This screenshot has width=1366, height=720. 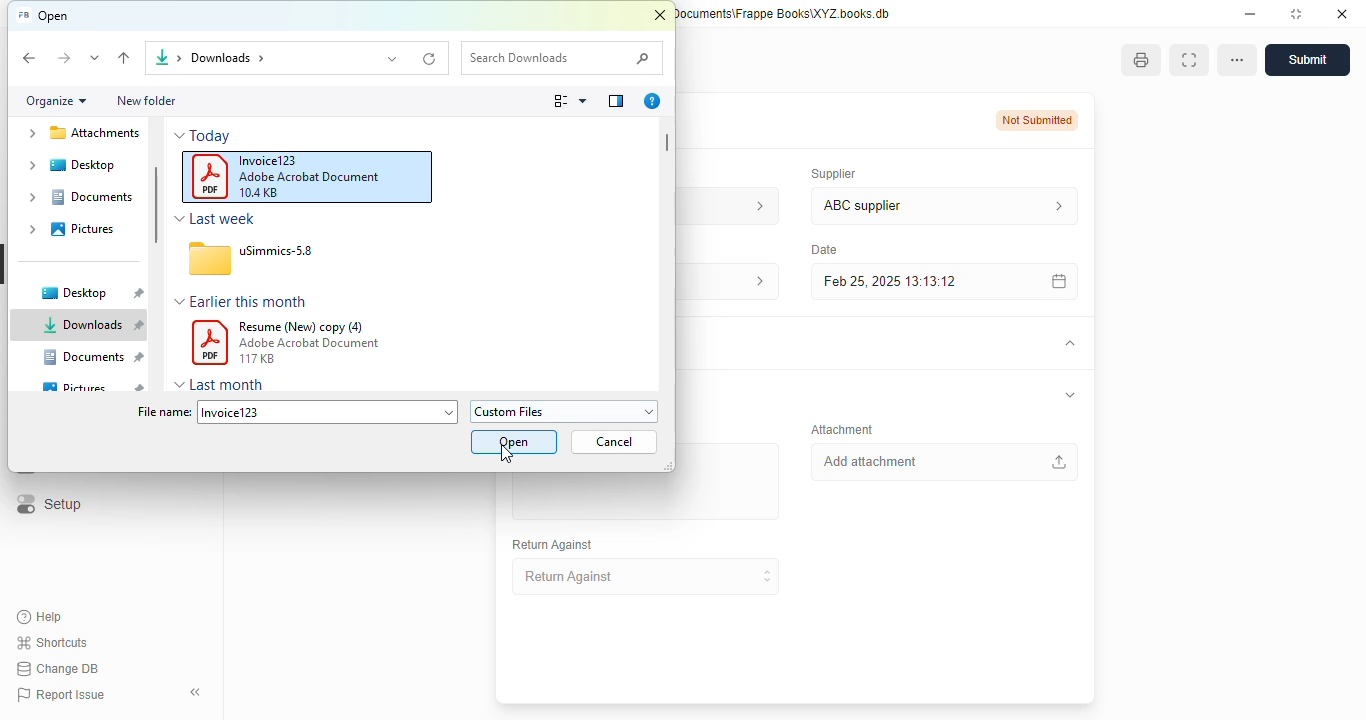 What do you see at coordinates (1237, 60) in the screenshot?
I see `option` at bounding box center [1237, 60].